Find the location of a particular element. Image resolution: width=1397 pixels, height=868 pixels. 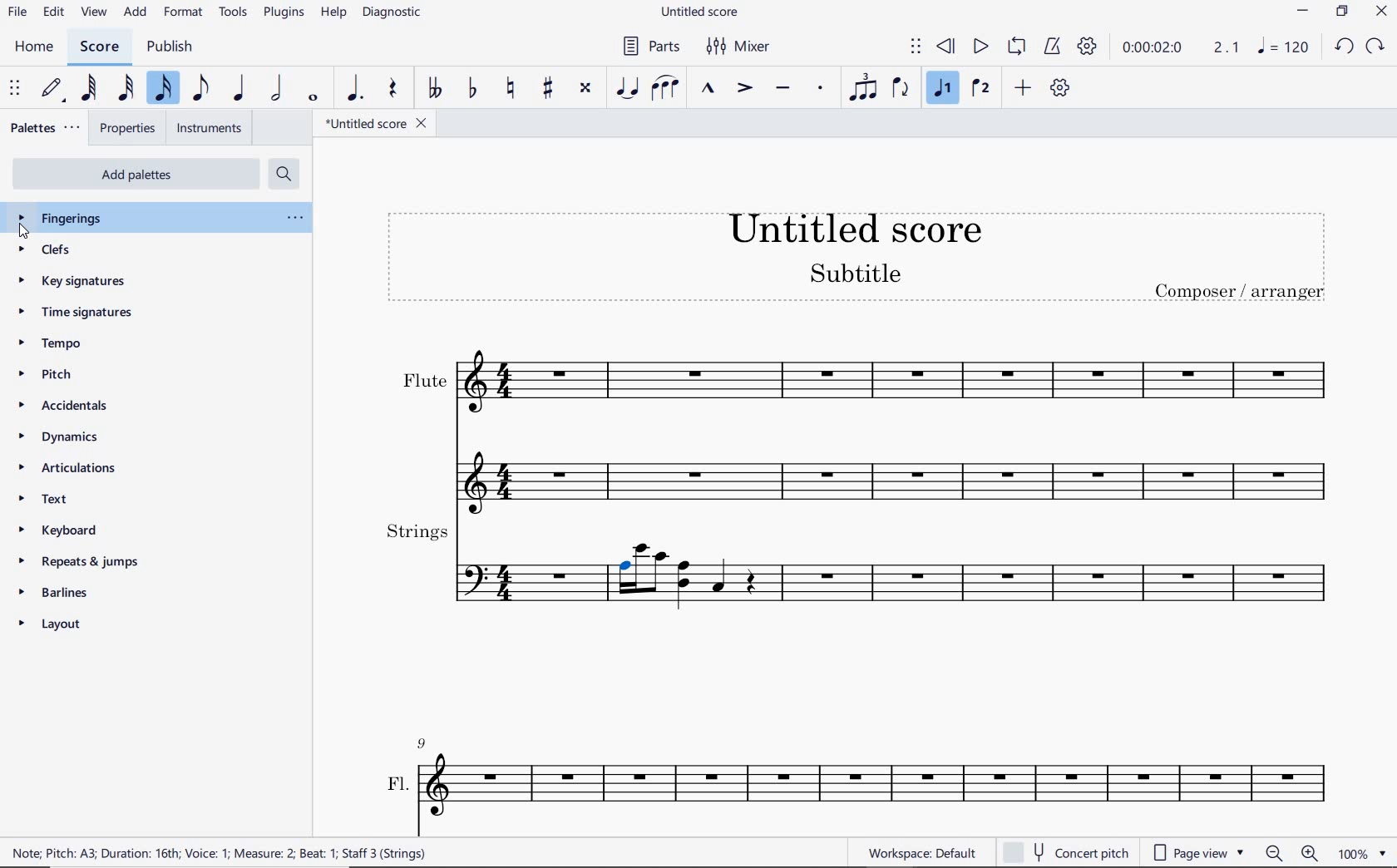

help is located at coordinates (334, 16).